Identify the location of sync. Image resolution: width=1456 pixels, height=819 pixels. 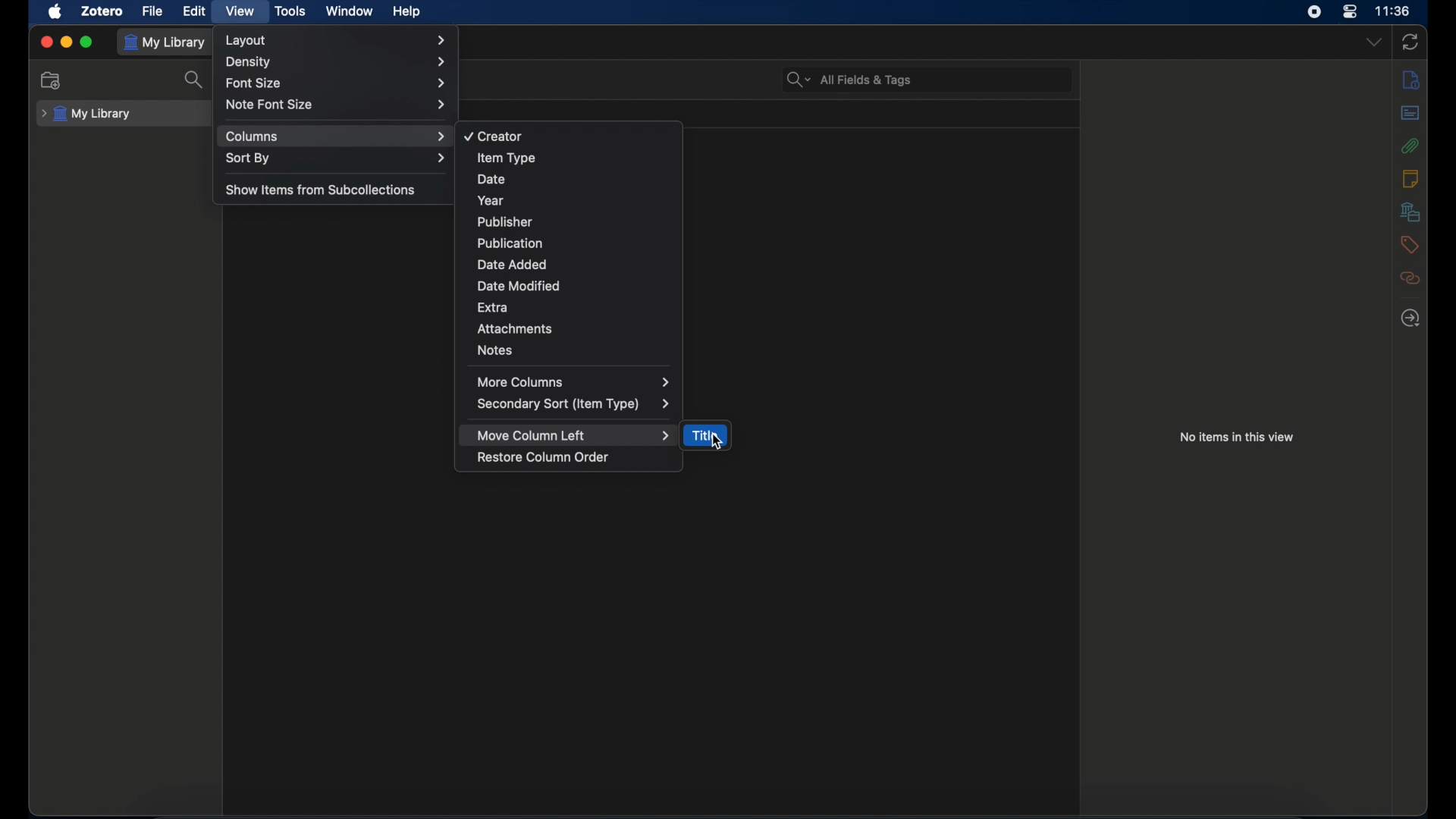
(1409, 42).